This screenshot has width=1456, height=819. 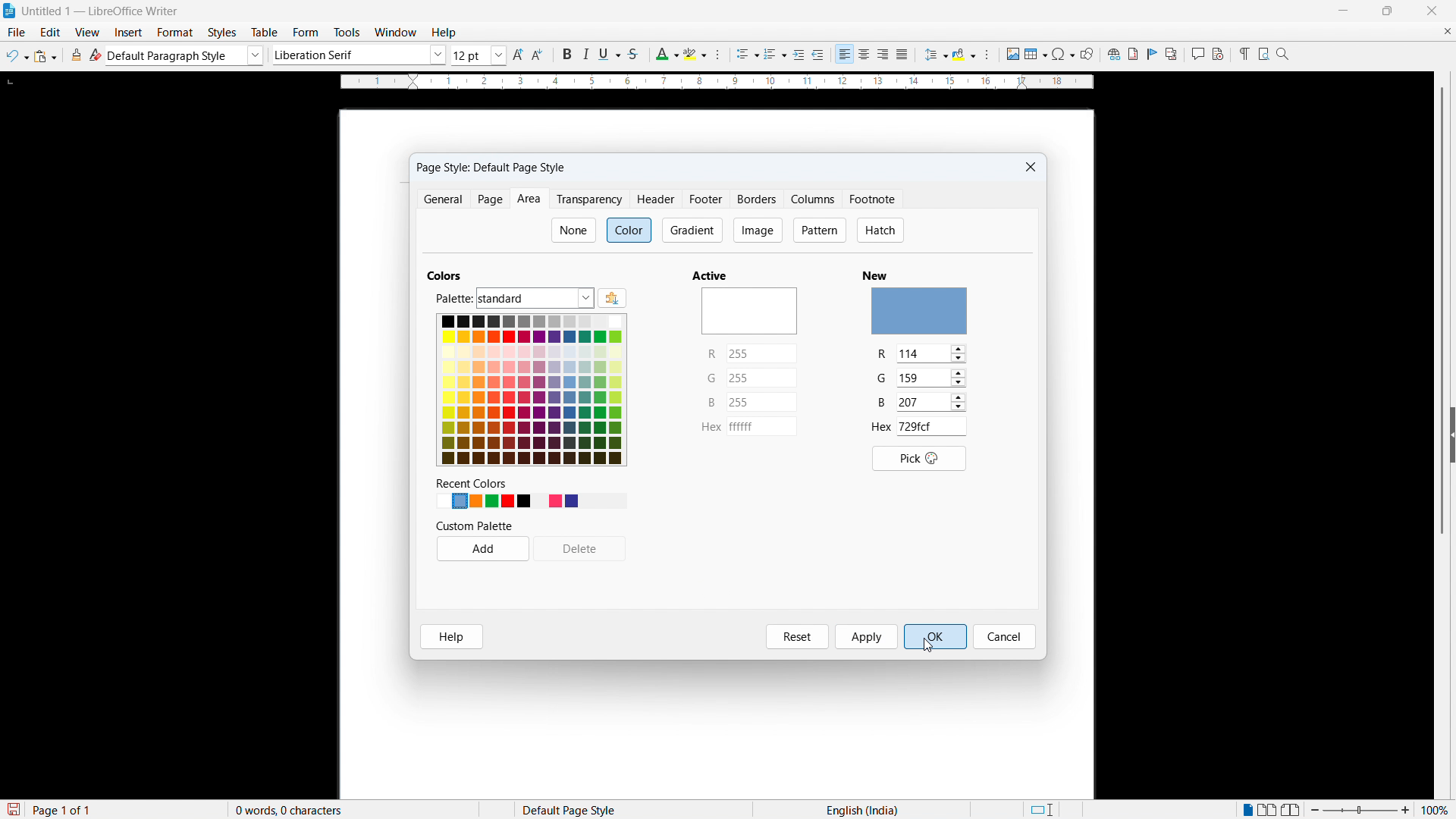 I want to click on set G, so click(x=761, y=378).